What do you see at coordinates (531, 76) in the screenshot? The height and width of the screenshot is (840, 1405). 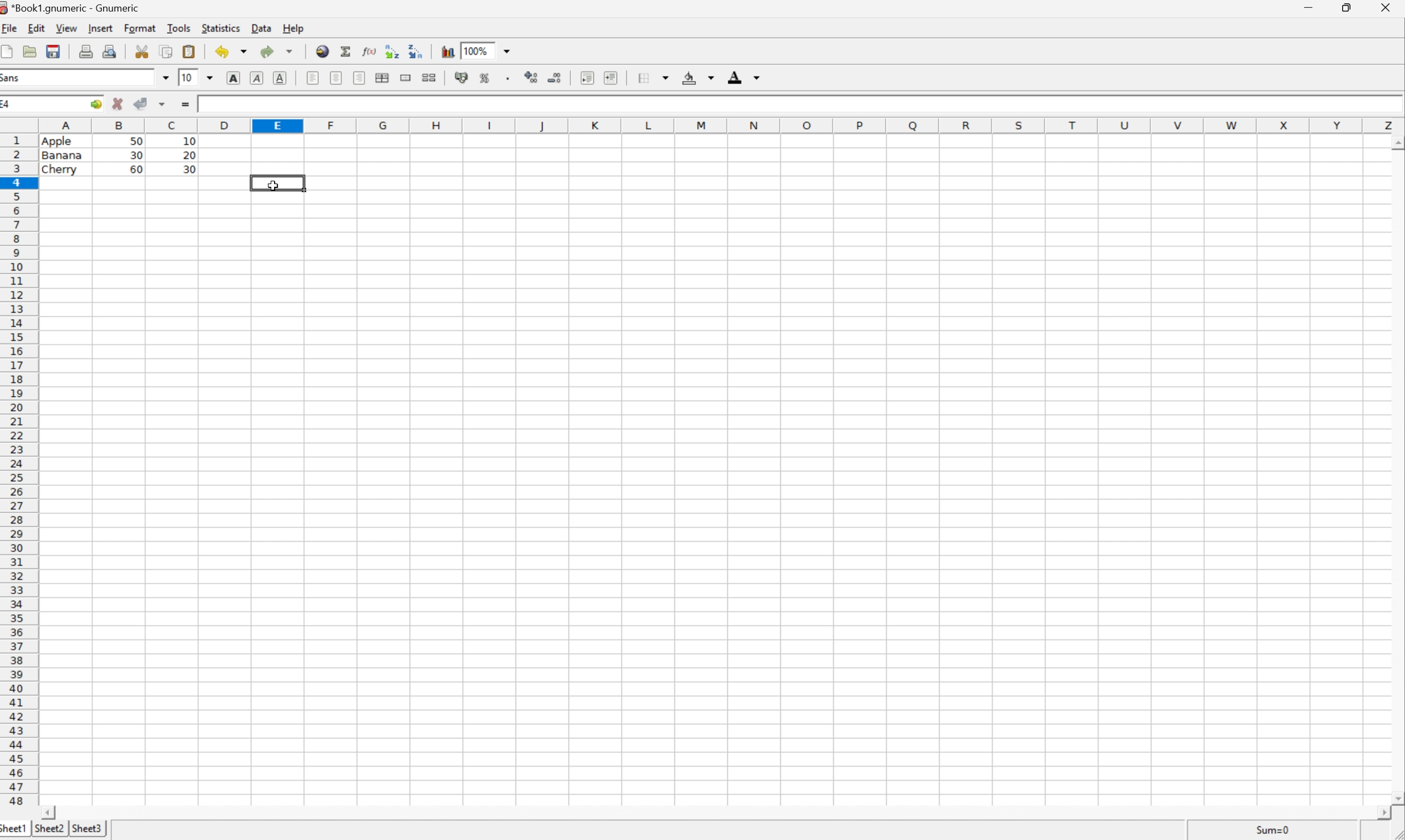 I see `increase number of decimals displayed` at bounding box center [531, 76].